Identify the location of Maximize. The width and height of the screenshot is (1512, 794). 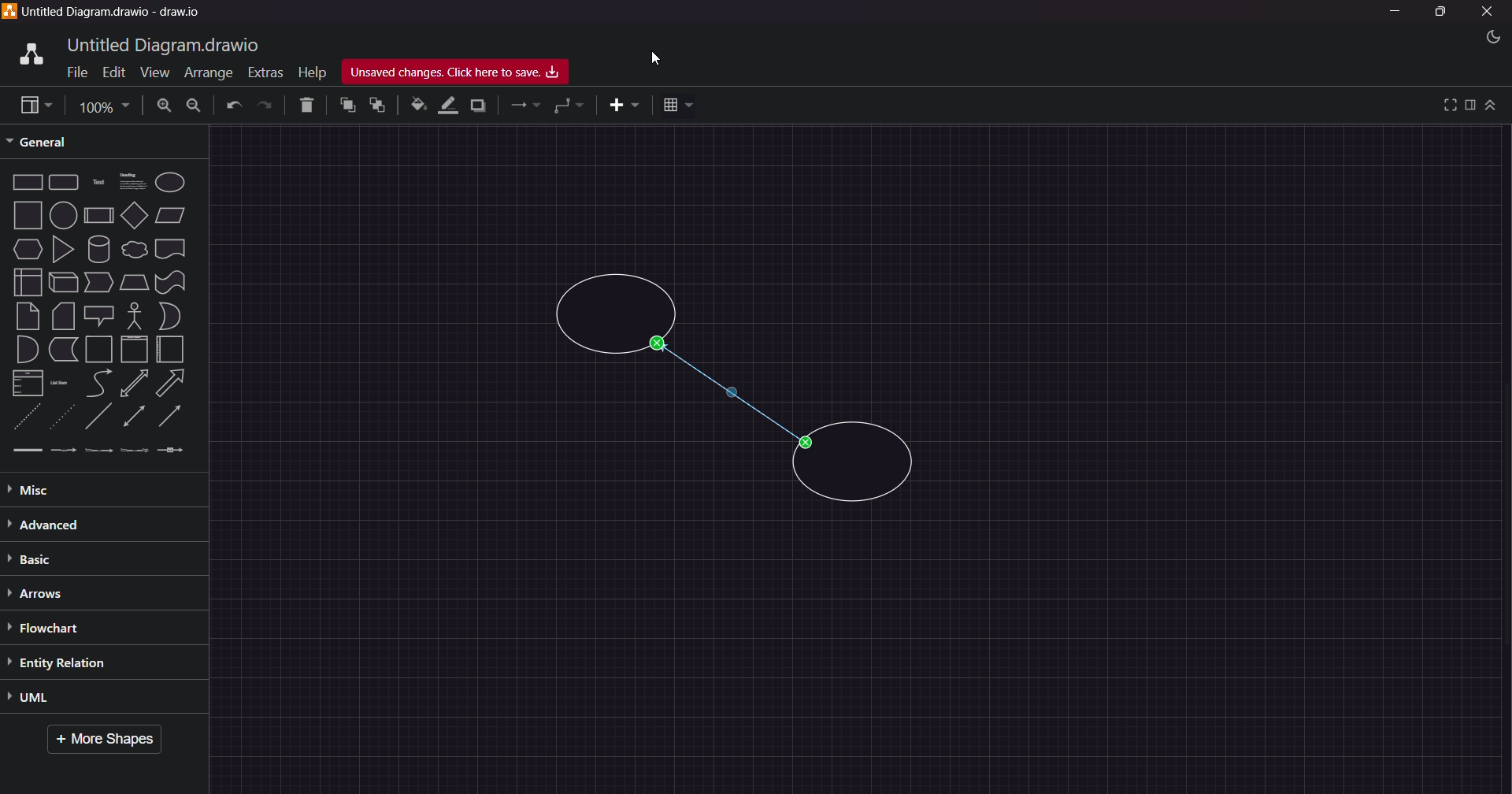
(1440, 14).